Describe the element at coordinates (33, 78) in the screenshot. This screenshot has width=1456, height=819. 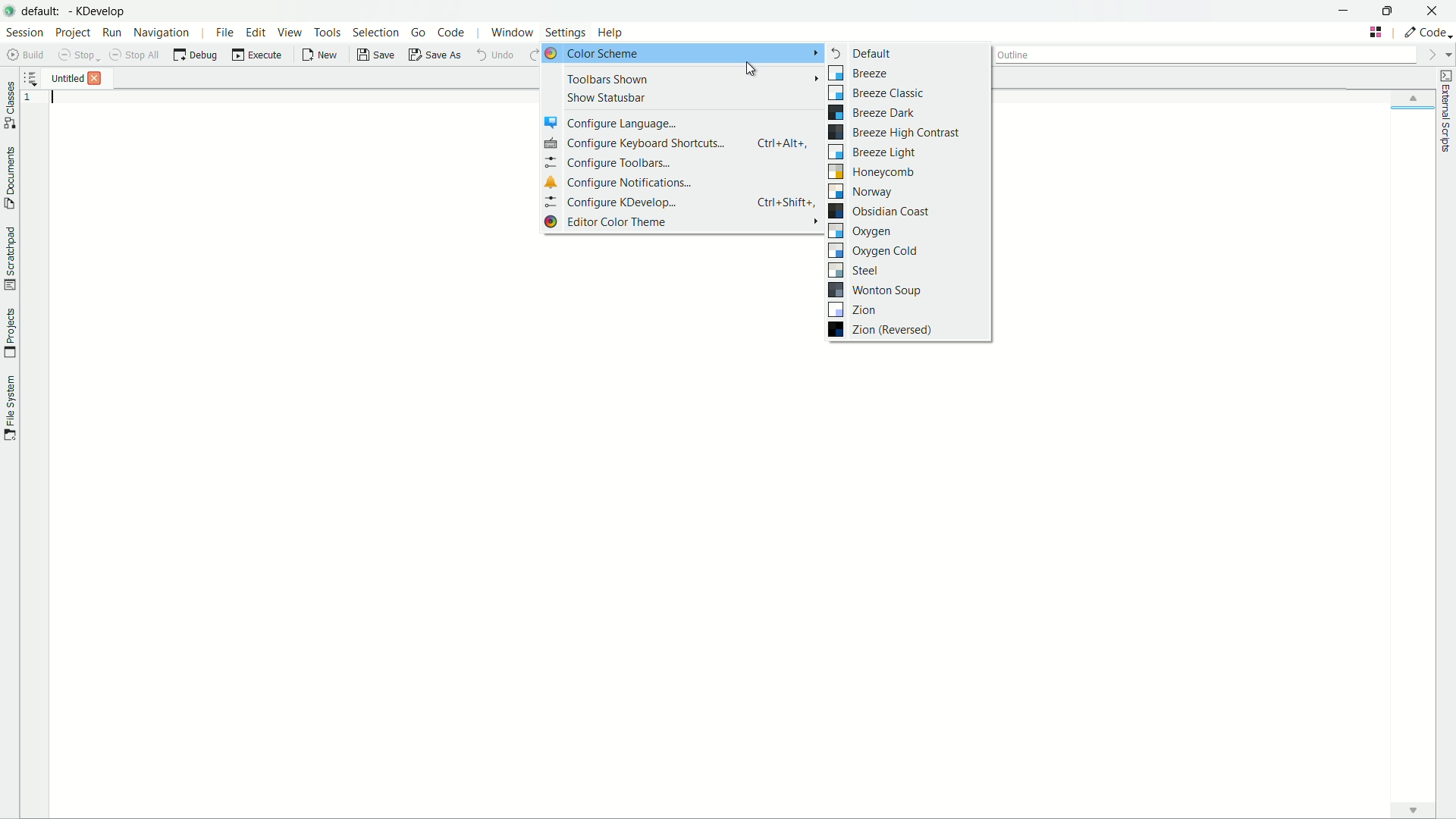
I see `show sorted list of opened documents` at that location.